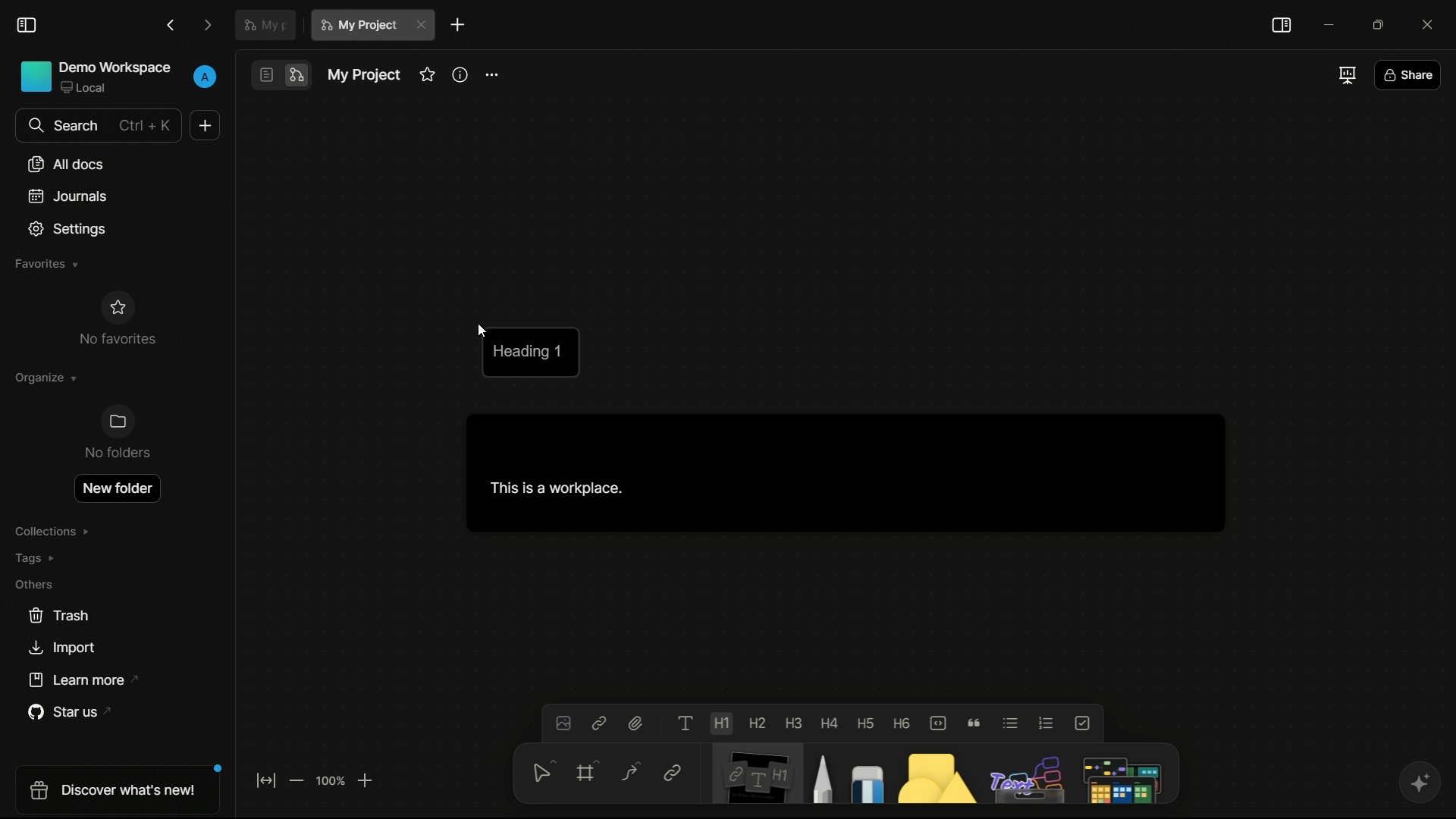 The height and width of the screenshot is (819, 1456). Describe the element at coordinates (366, 780) in the screenshot. I see `zoom in` at that location.